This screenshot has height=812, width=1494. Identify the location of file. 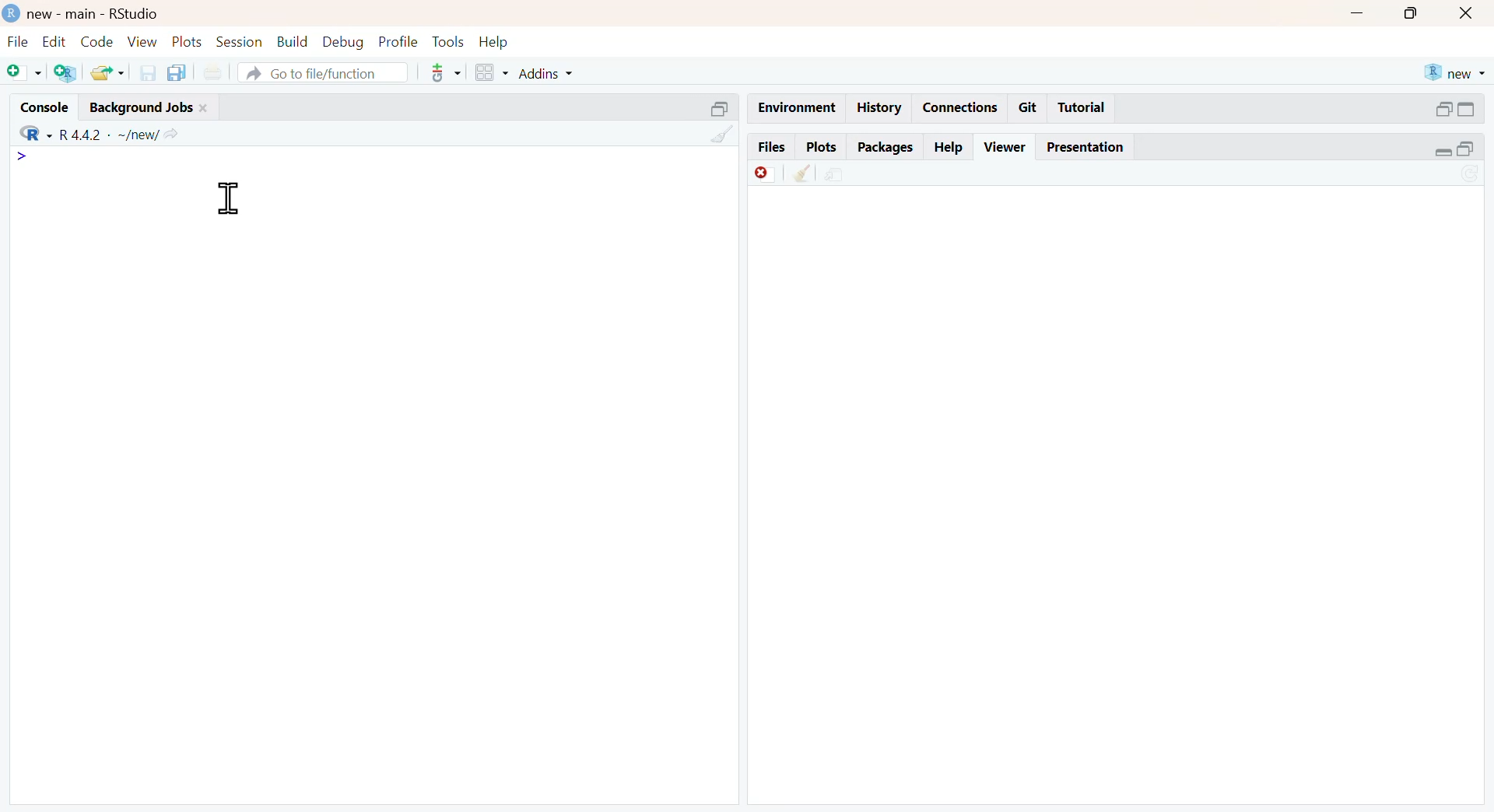
(18, 41).